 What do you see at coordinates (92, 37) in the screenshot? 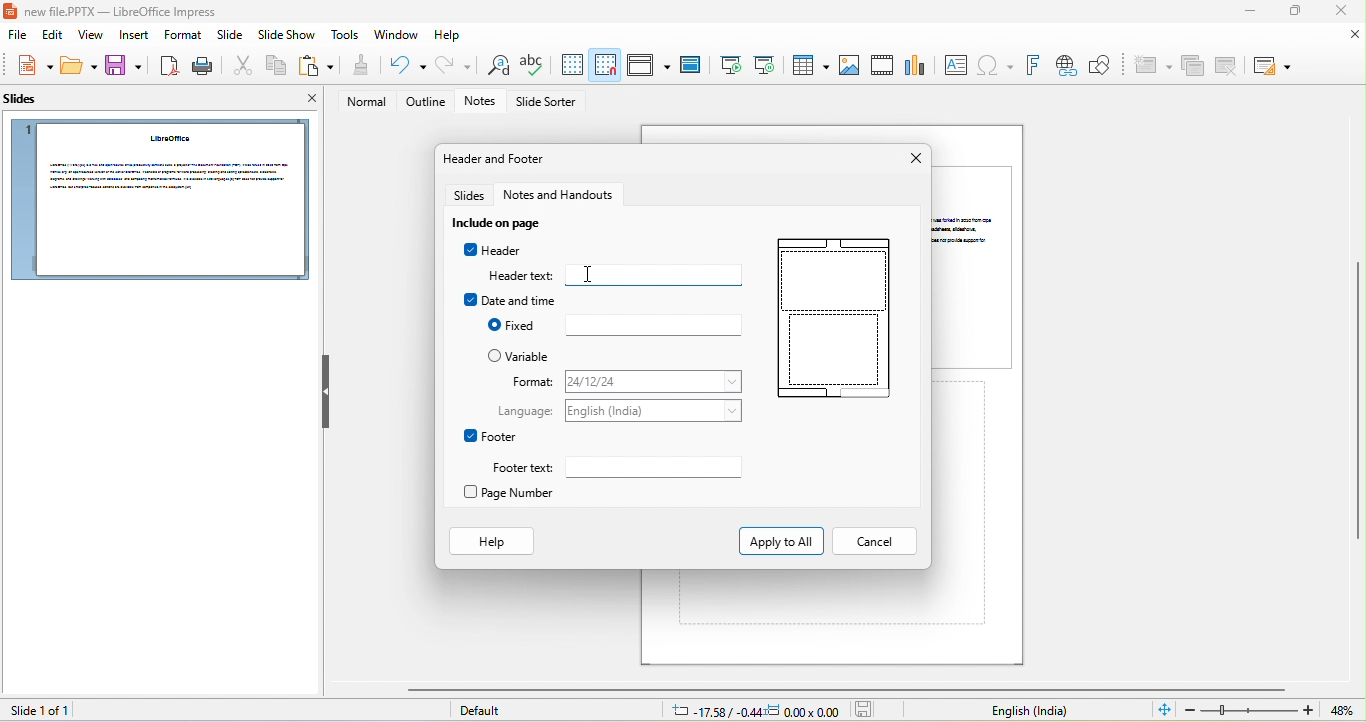
I see `view` at bounding box center [92, 37].